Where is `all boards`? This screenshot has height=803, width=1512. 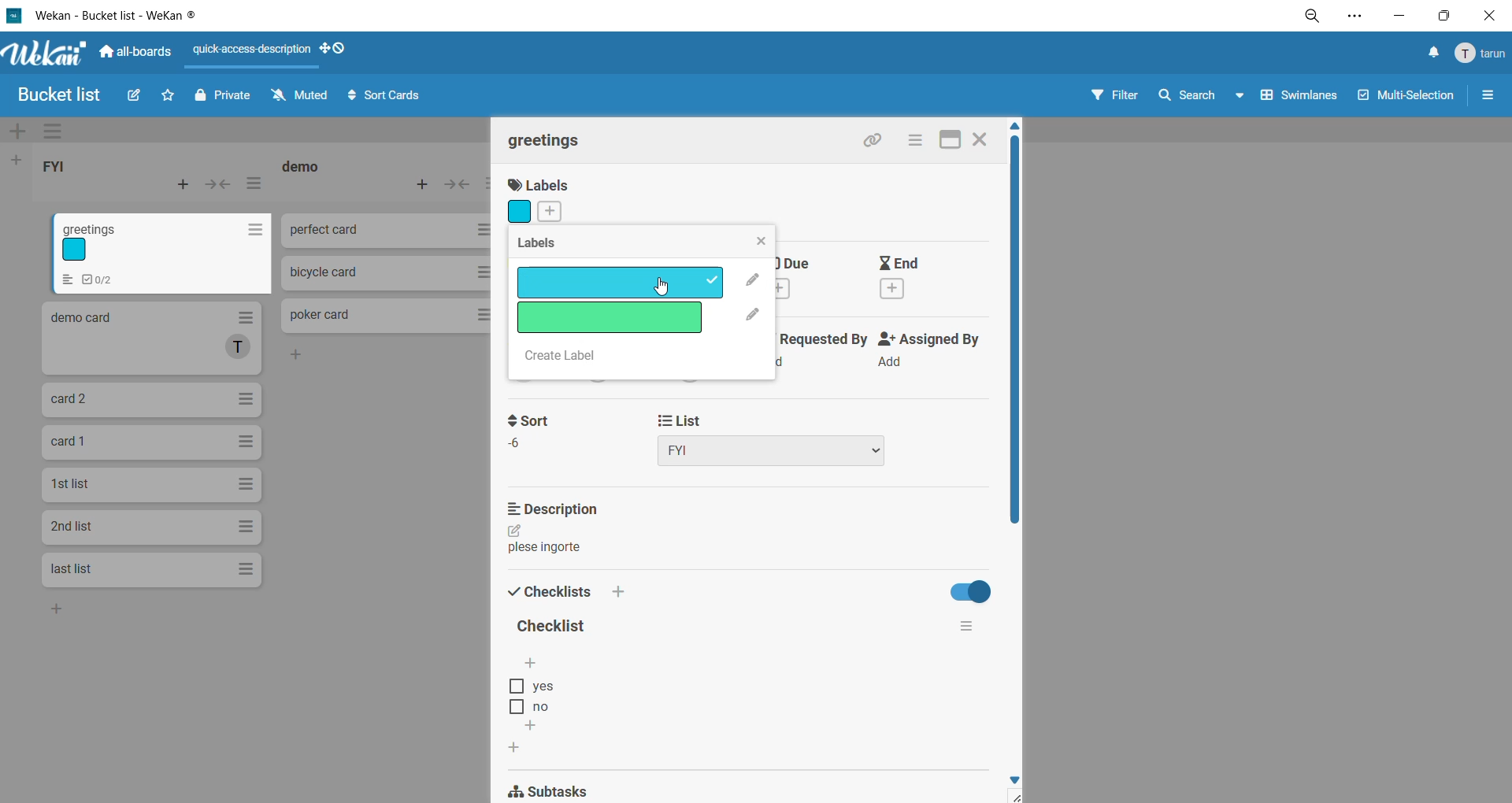
all boards is located at coordinates (135, 54).